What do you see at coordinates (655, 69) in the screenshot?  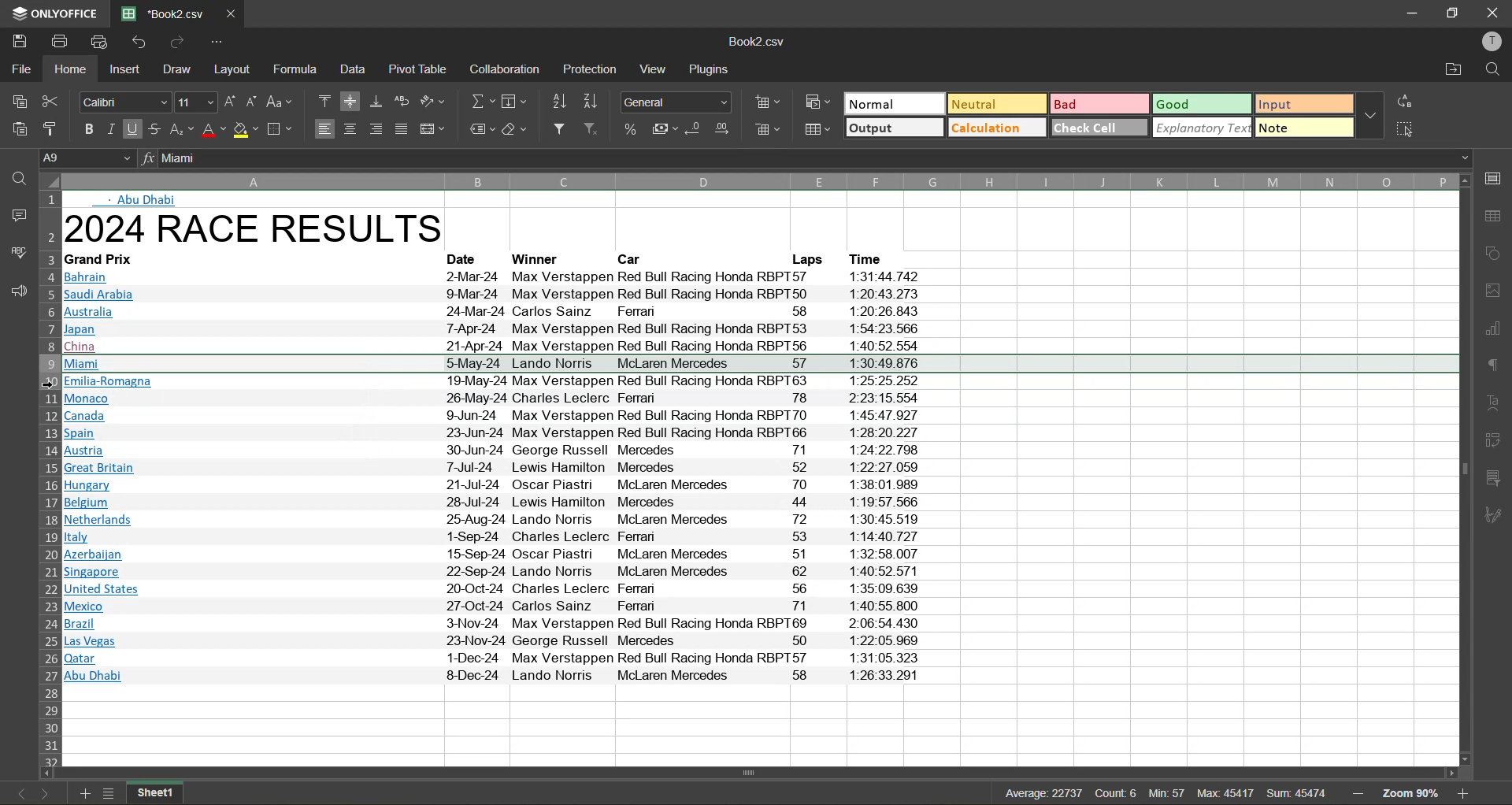 I see `view` at bounding box center [655, 69].